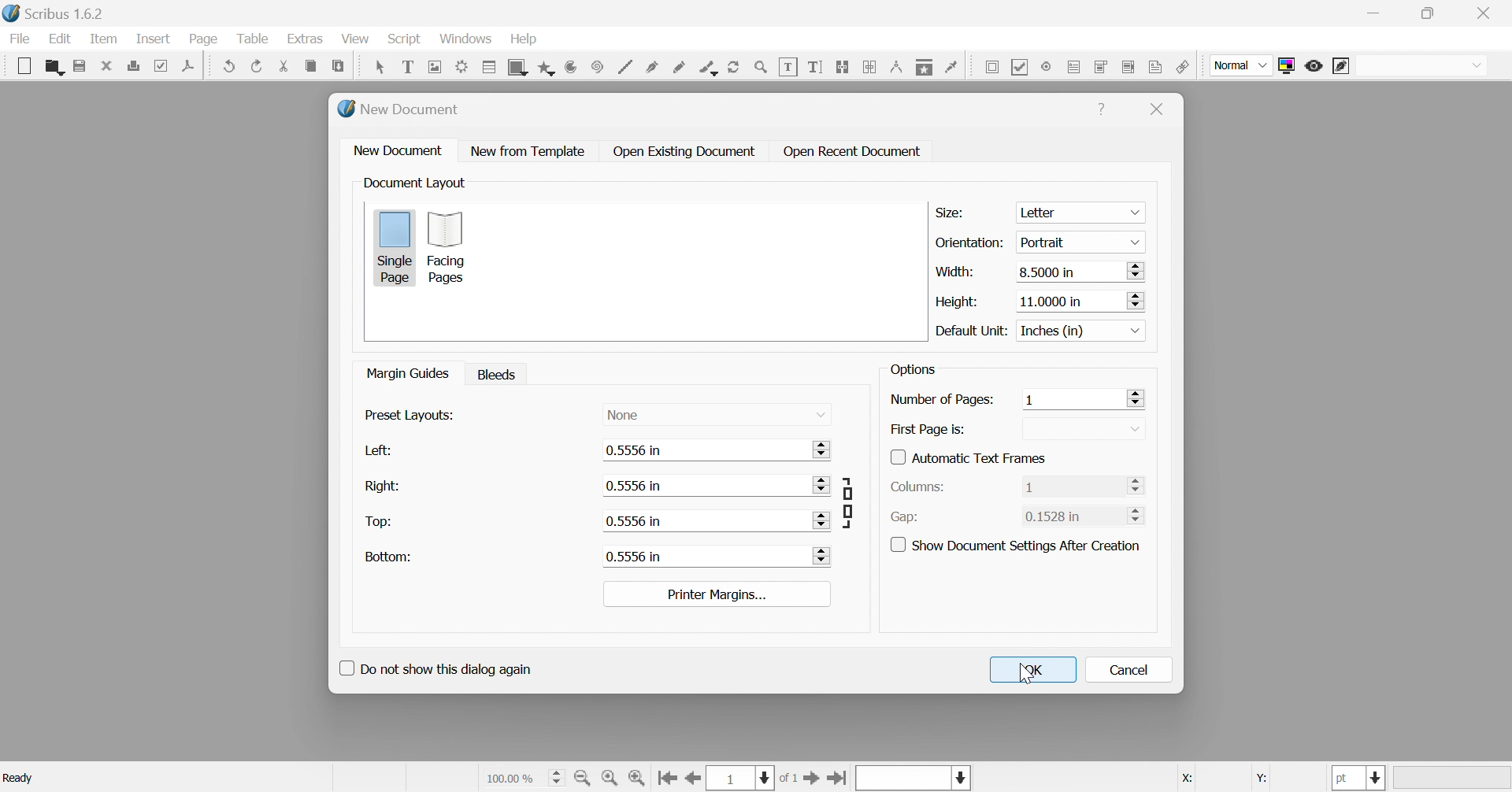  Describe the element at coordinates (717, 595) in the screenshot. I see `print margin` at that location.